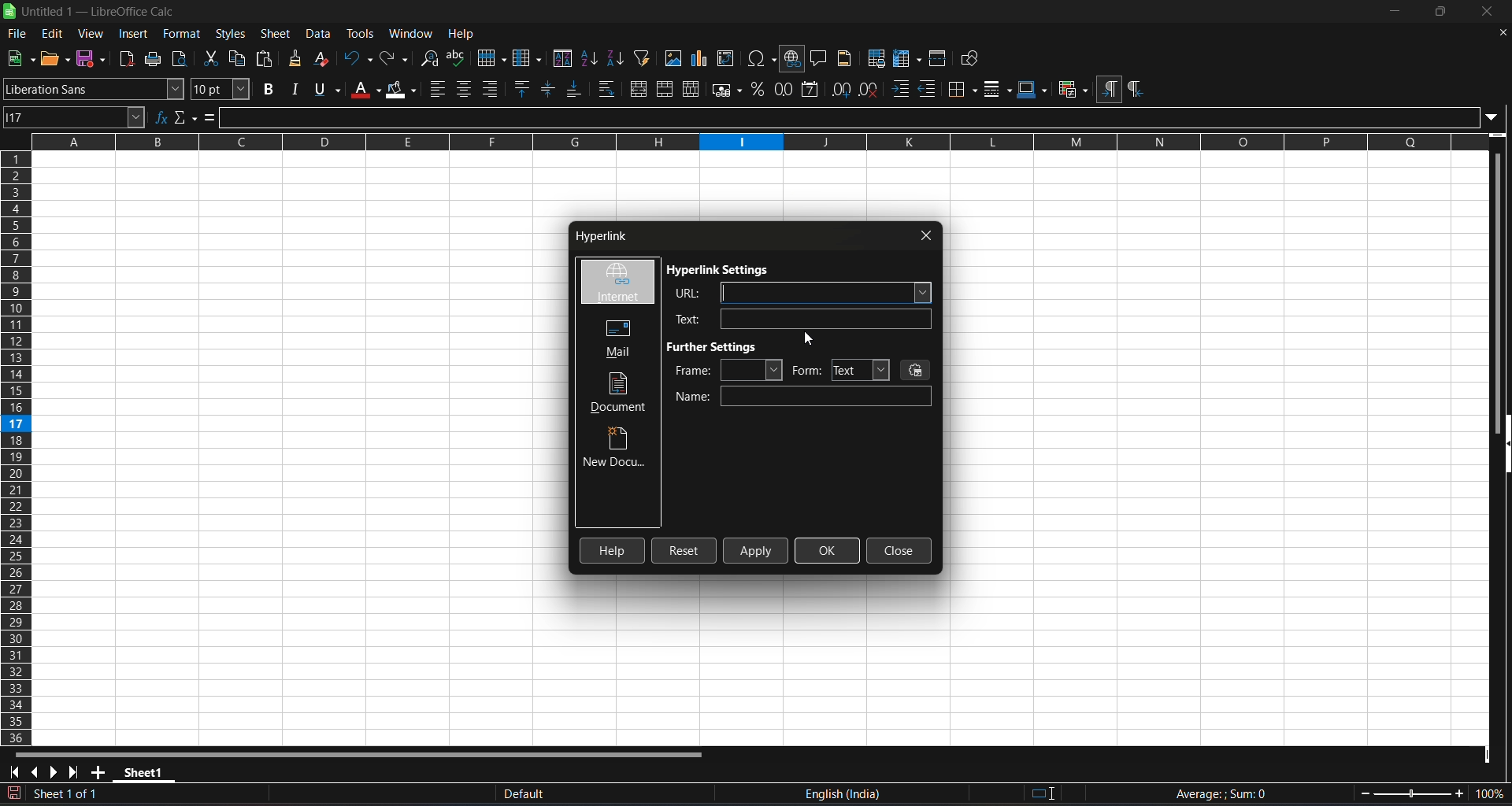 Image resolution: width=1512 pixels, height=806 pixels. I want to click on format as percent, so click(757, 90).